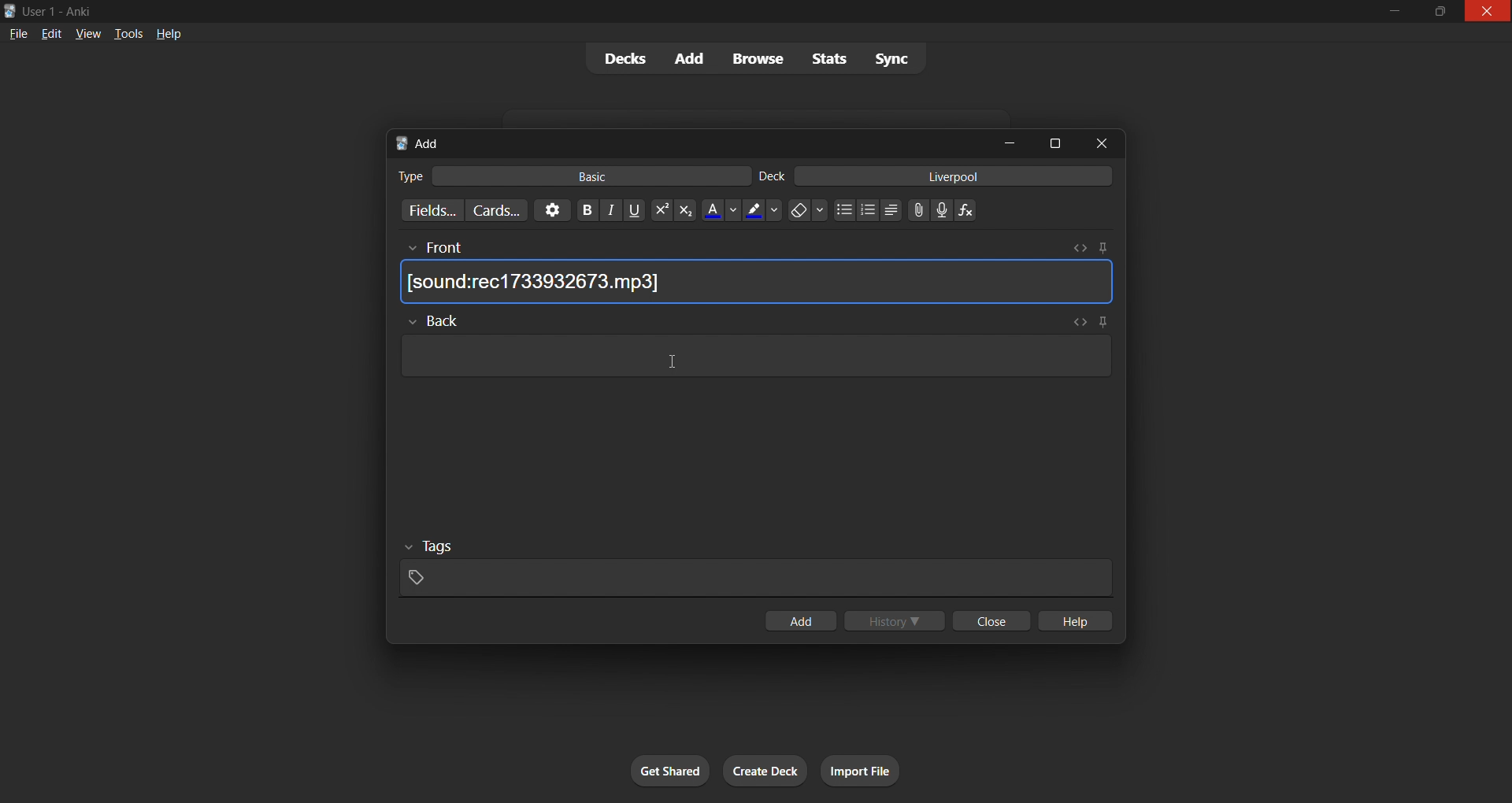 The height and width of the screenshot is (803, 1512). What do you see at coordinates (686, 141) in the screenshot?
I see `tab title` at bounding box center [686, 141].